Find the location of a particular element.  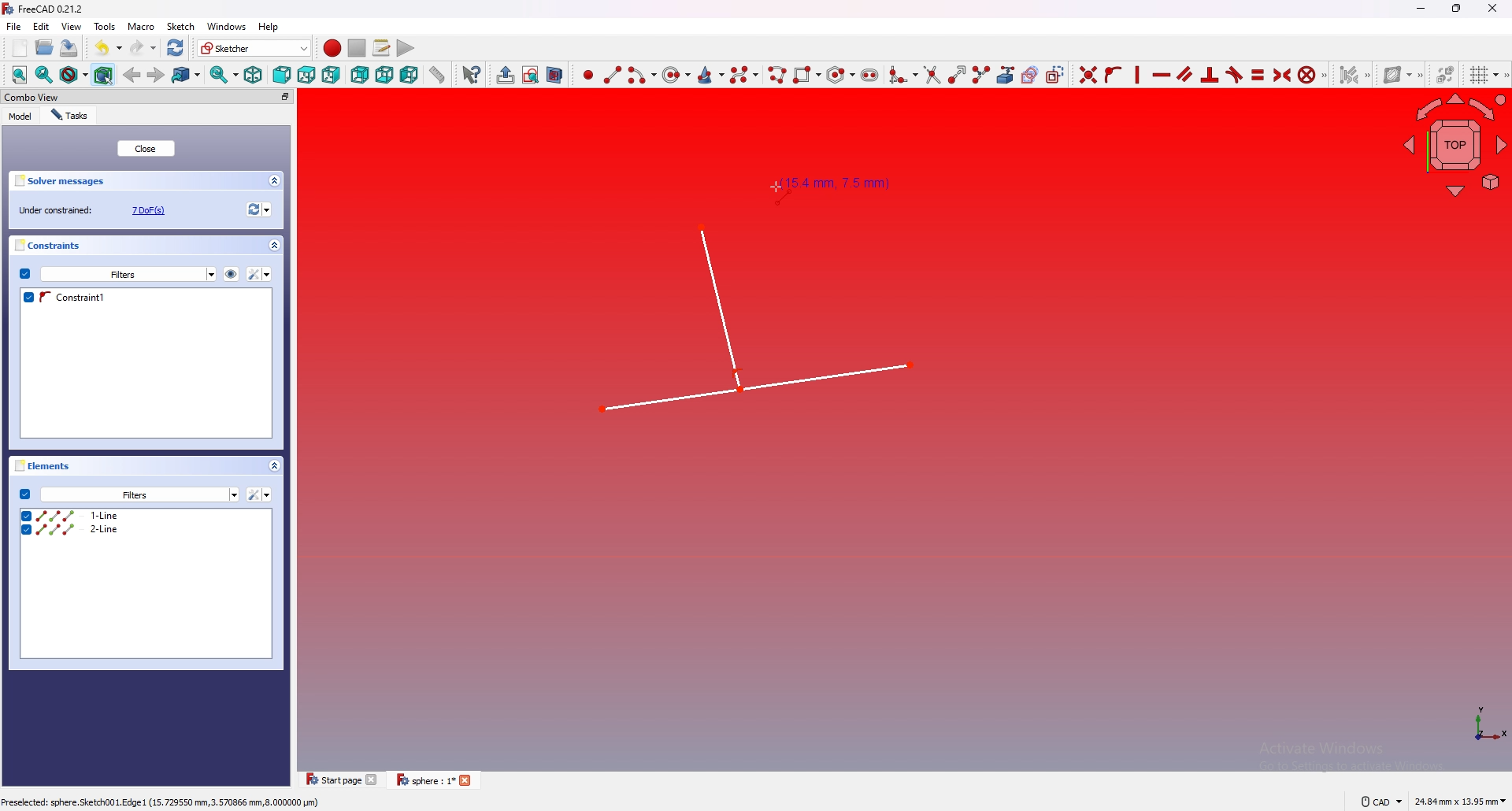

Tools is located at coordinates (106, 27).